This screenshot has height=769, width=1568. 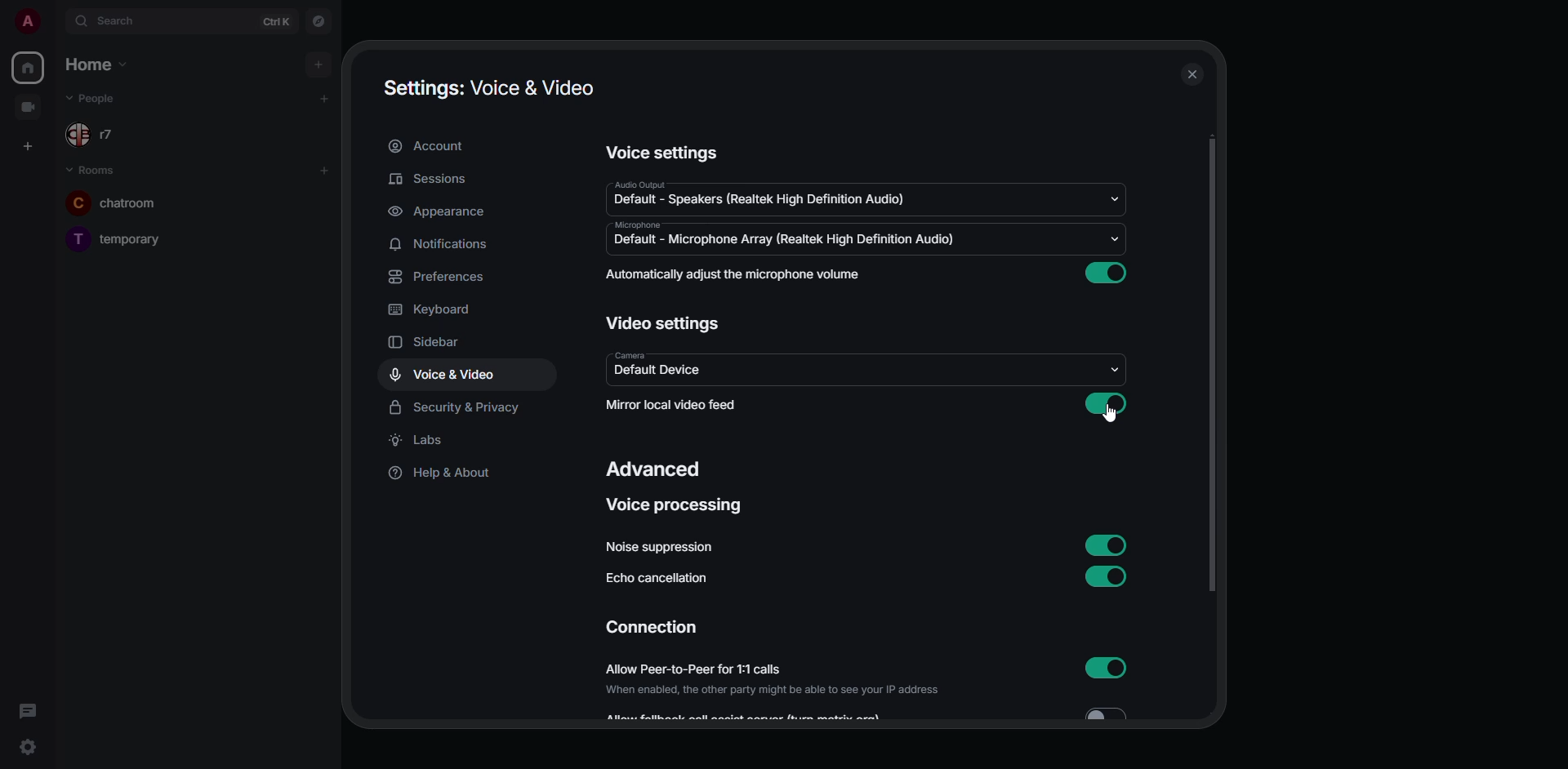 I want to click on microphone, so click(x=635, y=225).